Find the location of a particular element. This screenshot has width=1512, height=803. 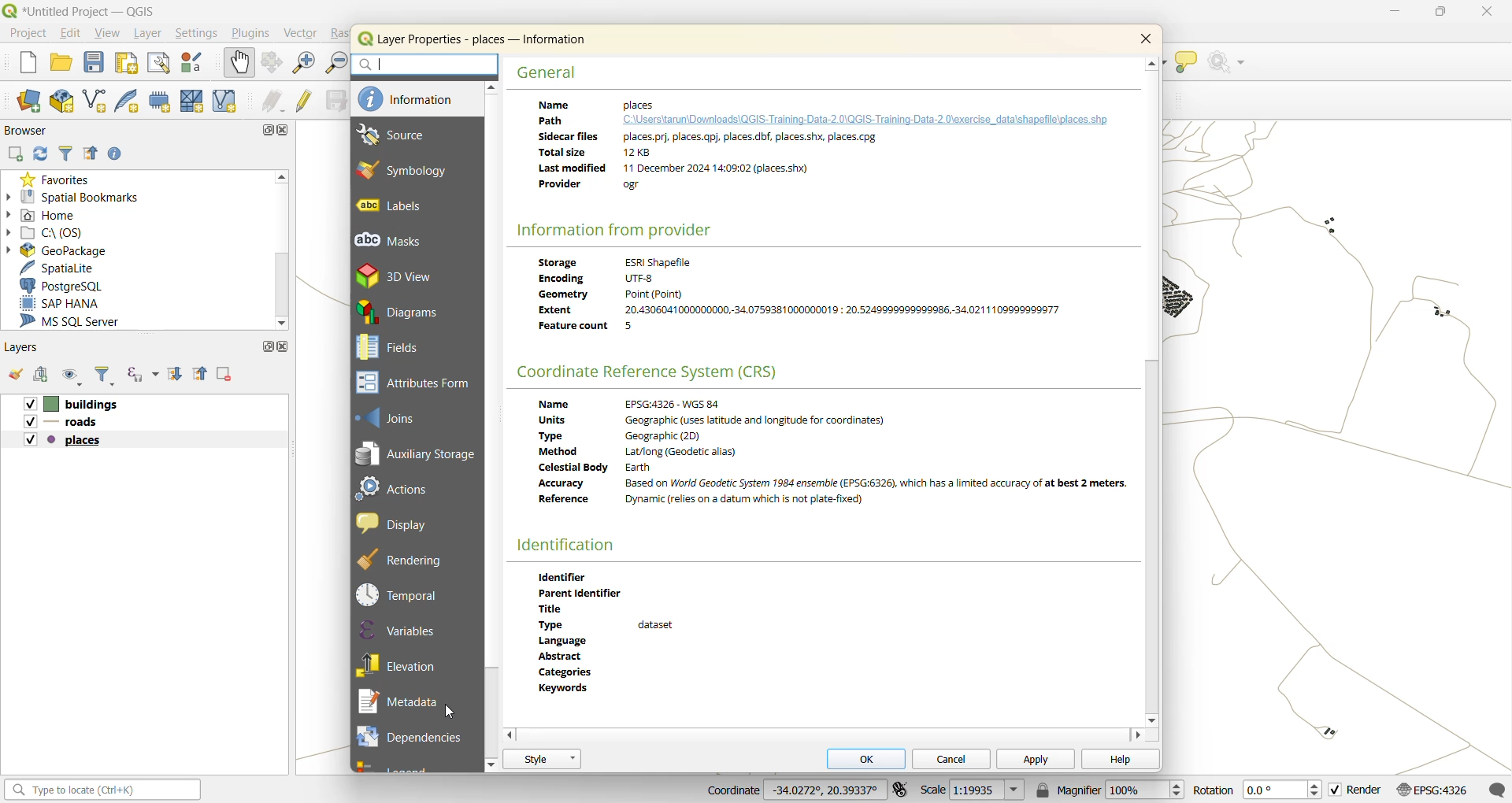

toggle edits is located at coordinates (303, 102).